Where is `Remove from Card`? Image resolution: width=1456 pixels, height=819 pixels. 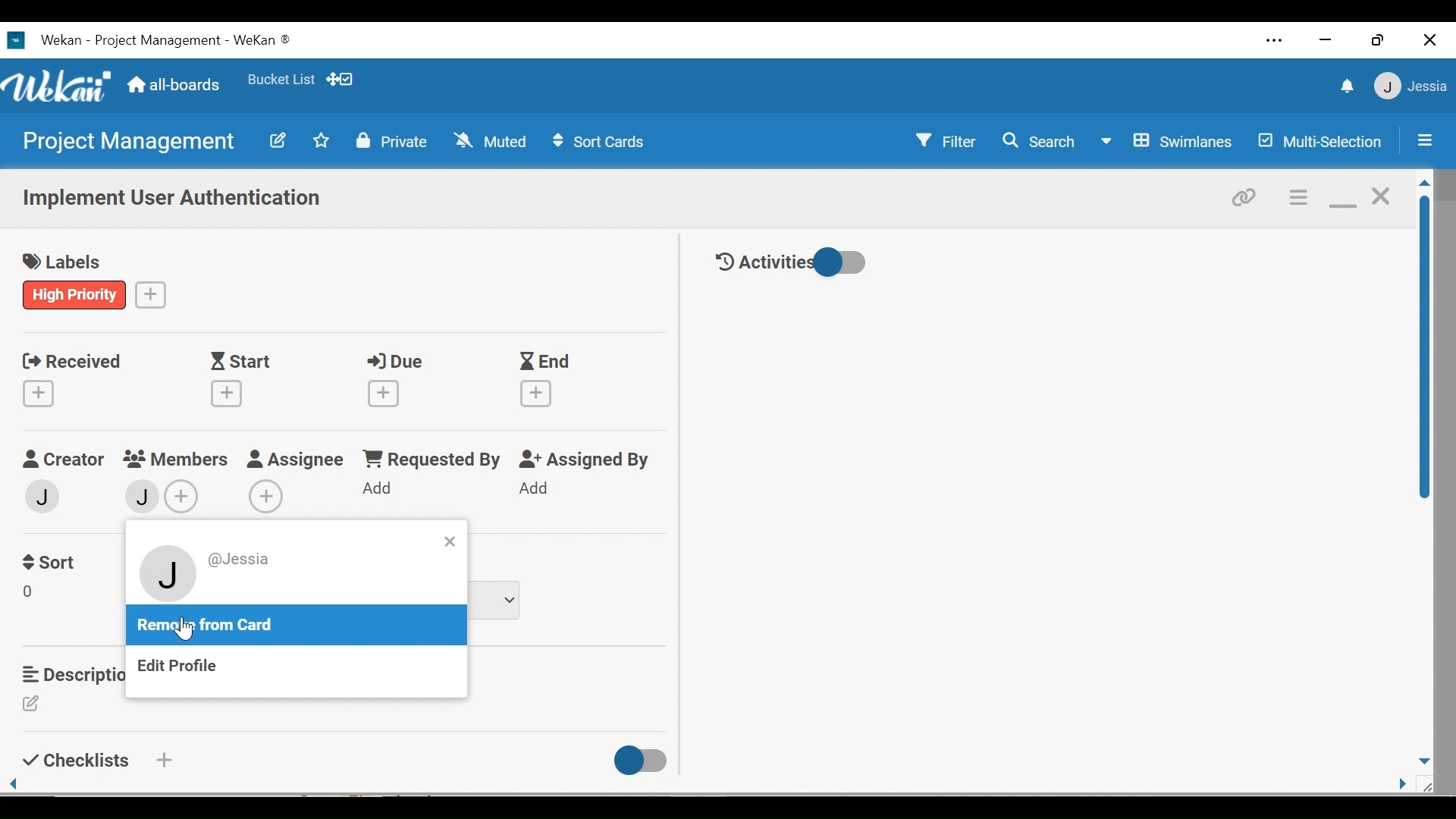
Remove from Card is located at coordinates (211, 626).